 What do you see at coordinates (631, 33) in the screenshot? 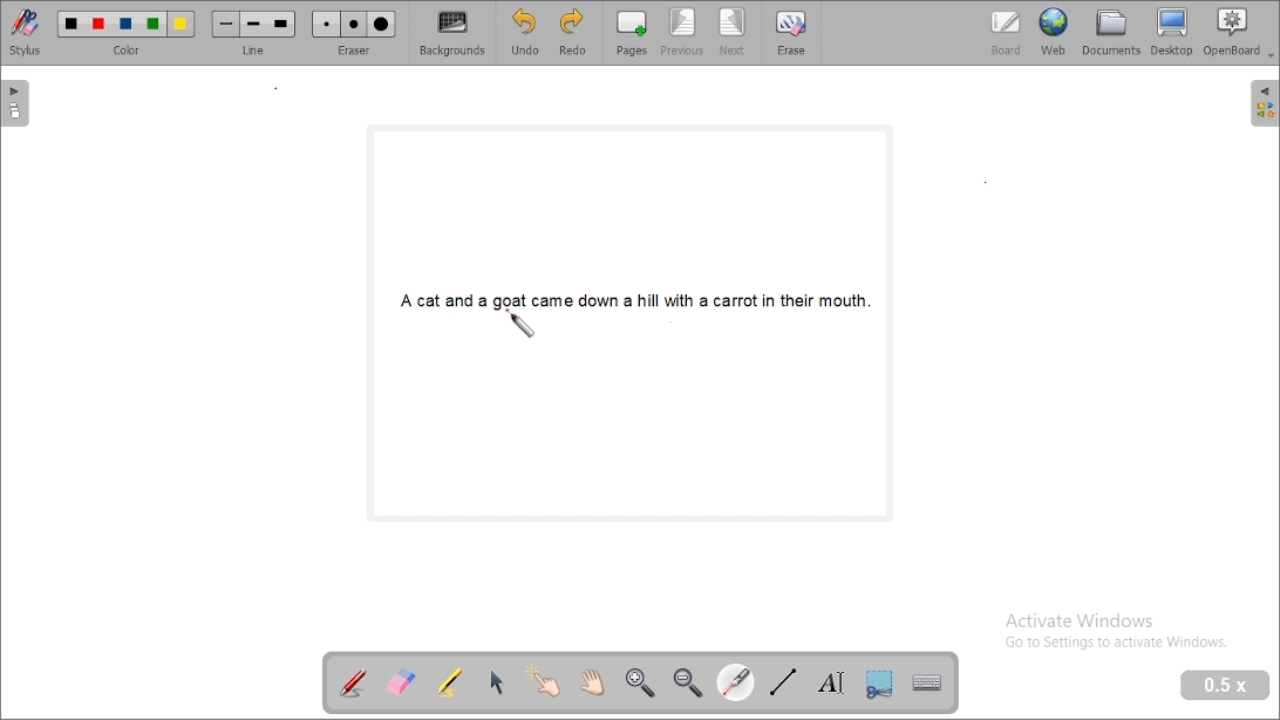
I see `pages` at bounding box center [631, 33].